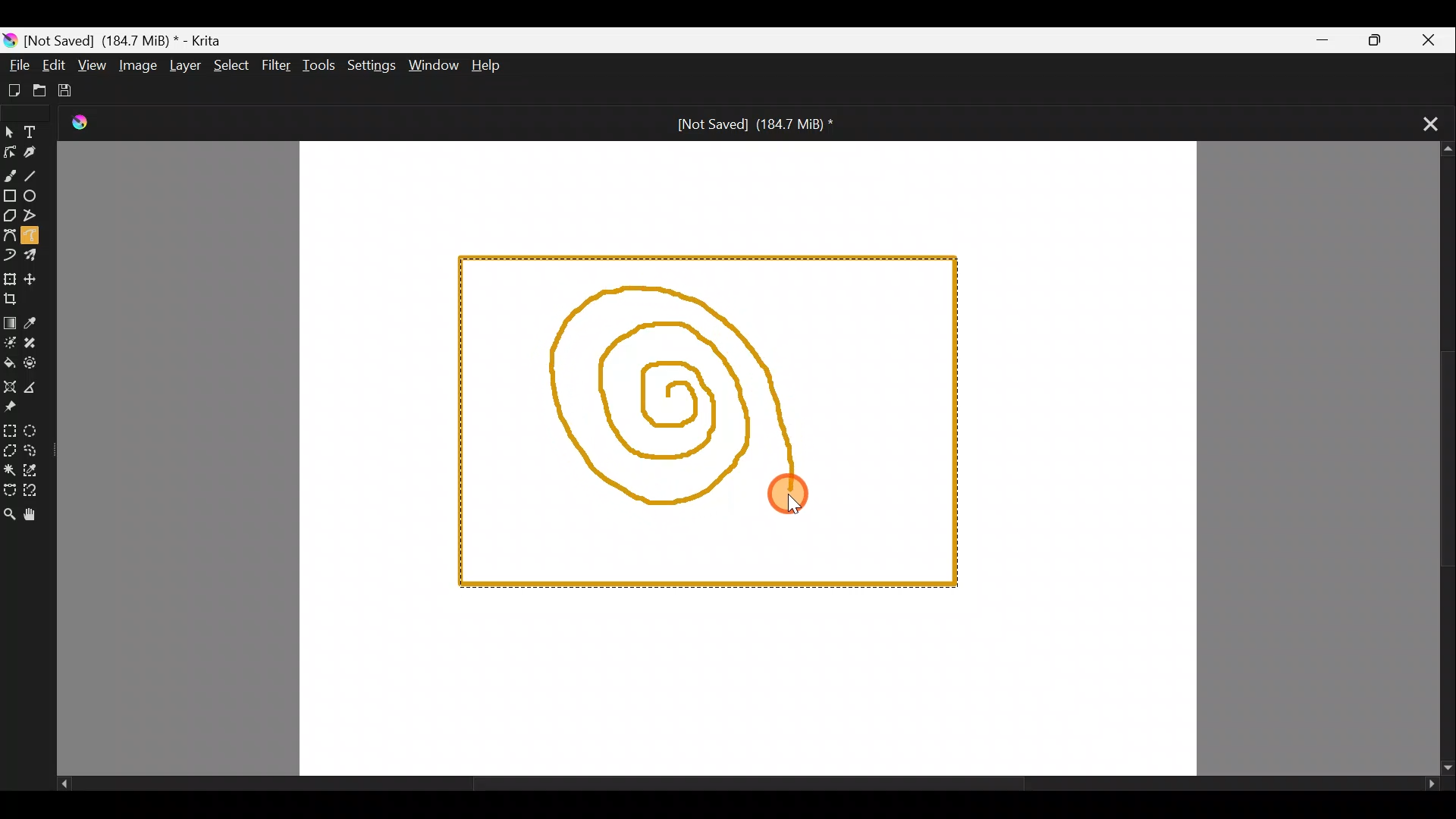  What do you see at coordinates (72, 93) in the screenshot?
I see `Save` at bounding box center [72, 93].